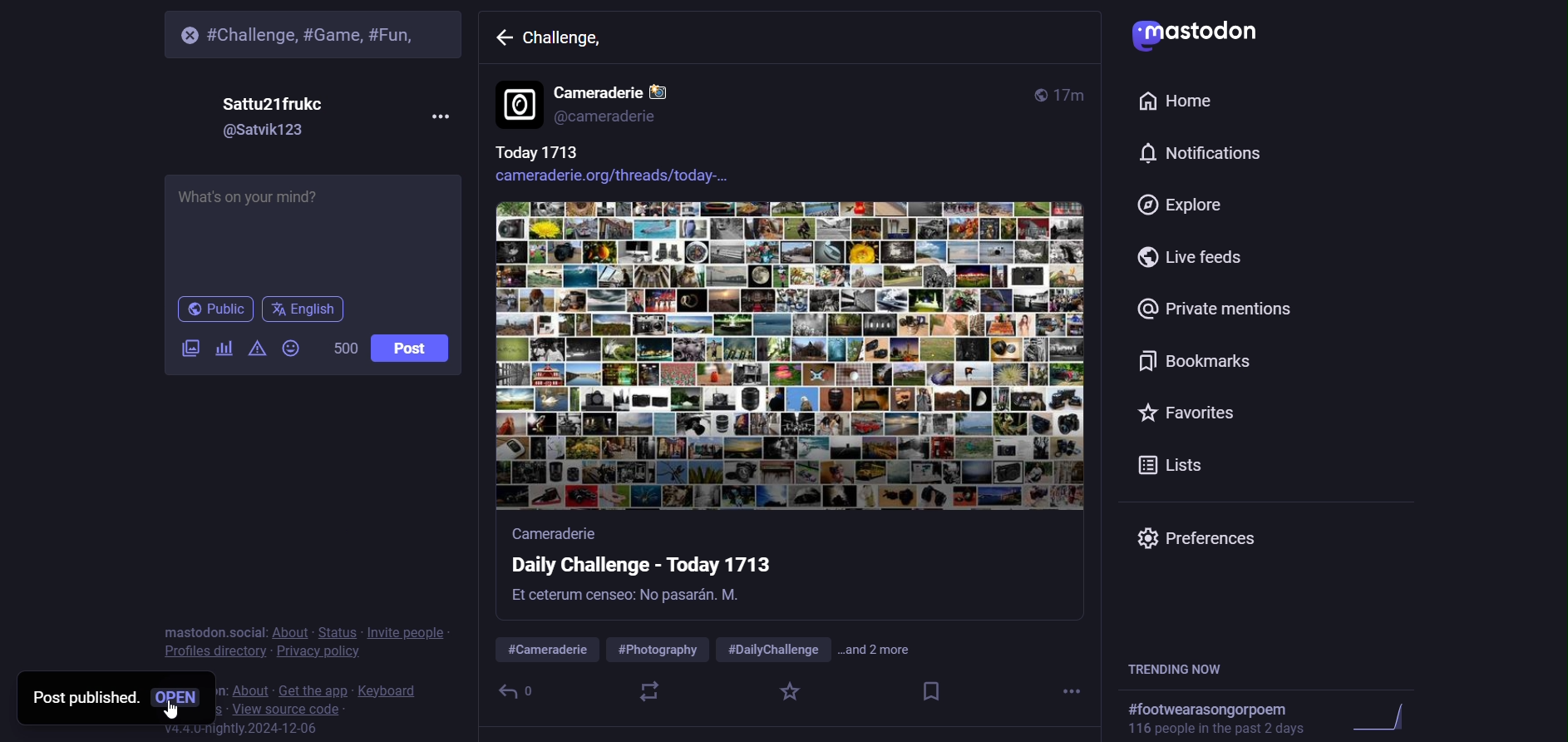  I want to click on and 2 more, so click(891, 650).